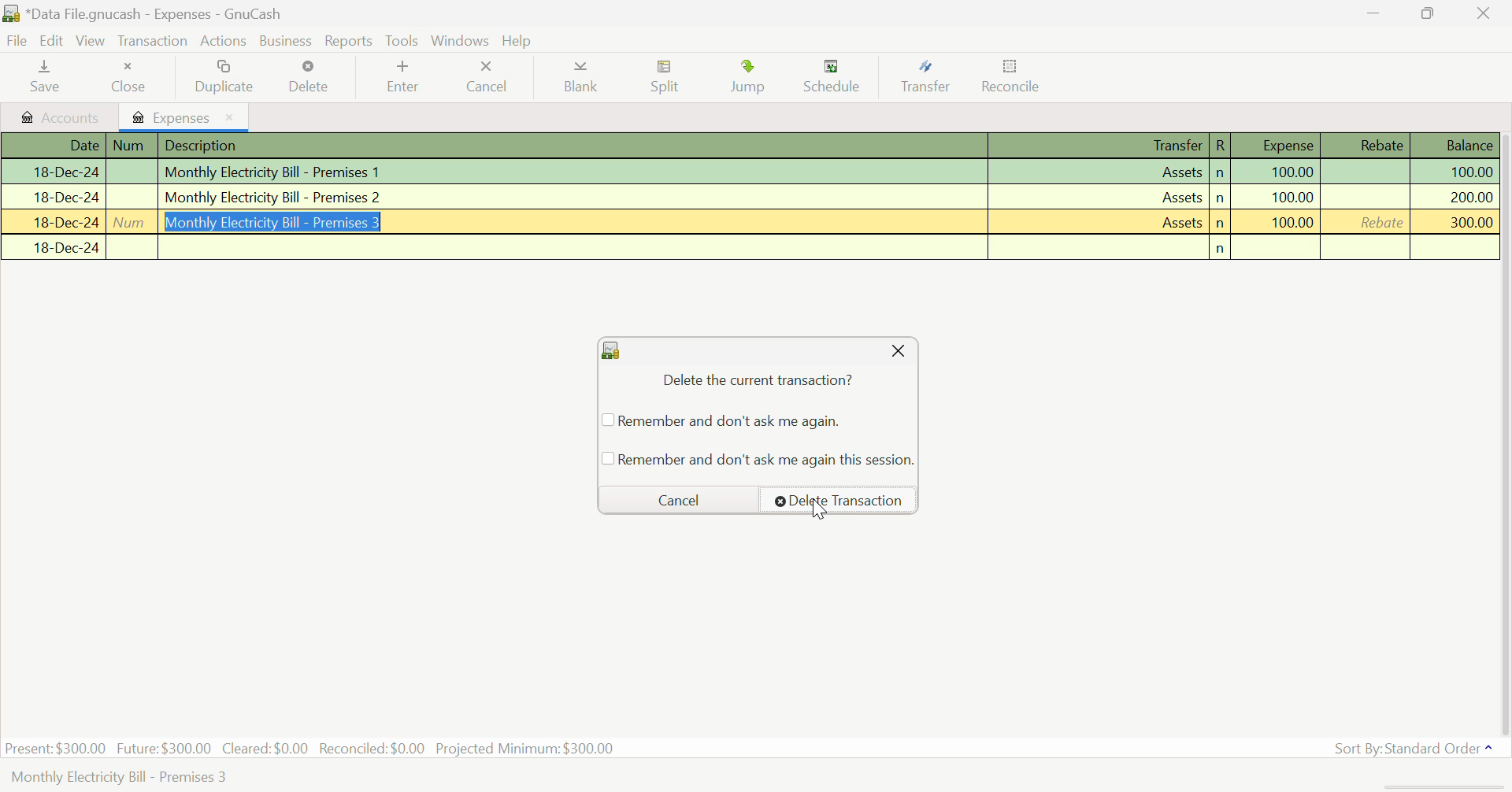  What do you see at coordinates (349, 41) in the screenshot?
I see `Reports` at bounding box center [349, 41].